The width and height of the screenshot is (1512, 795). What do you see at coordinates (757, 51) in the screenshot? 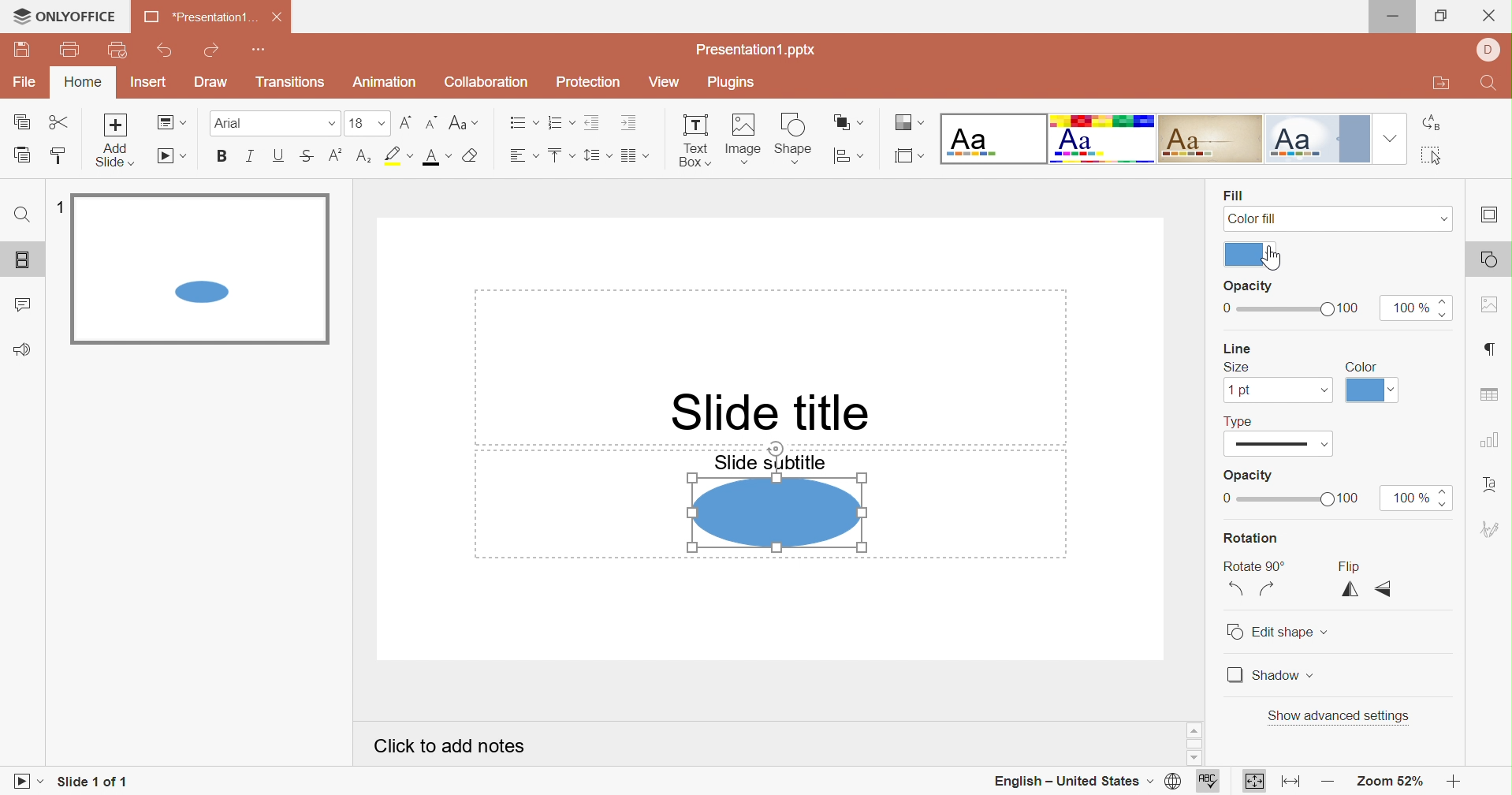
I see `Presentation1.pptx` at bounding box center [757, 51].